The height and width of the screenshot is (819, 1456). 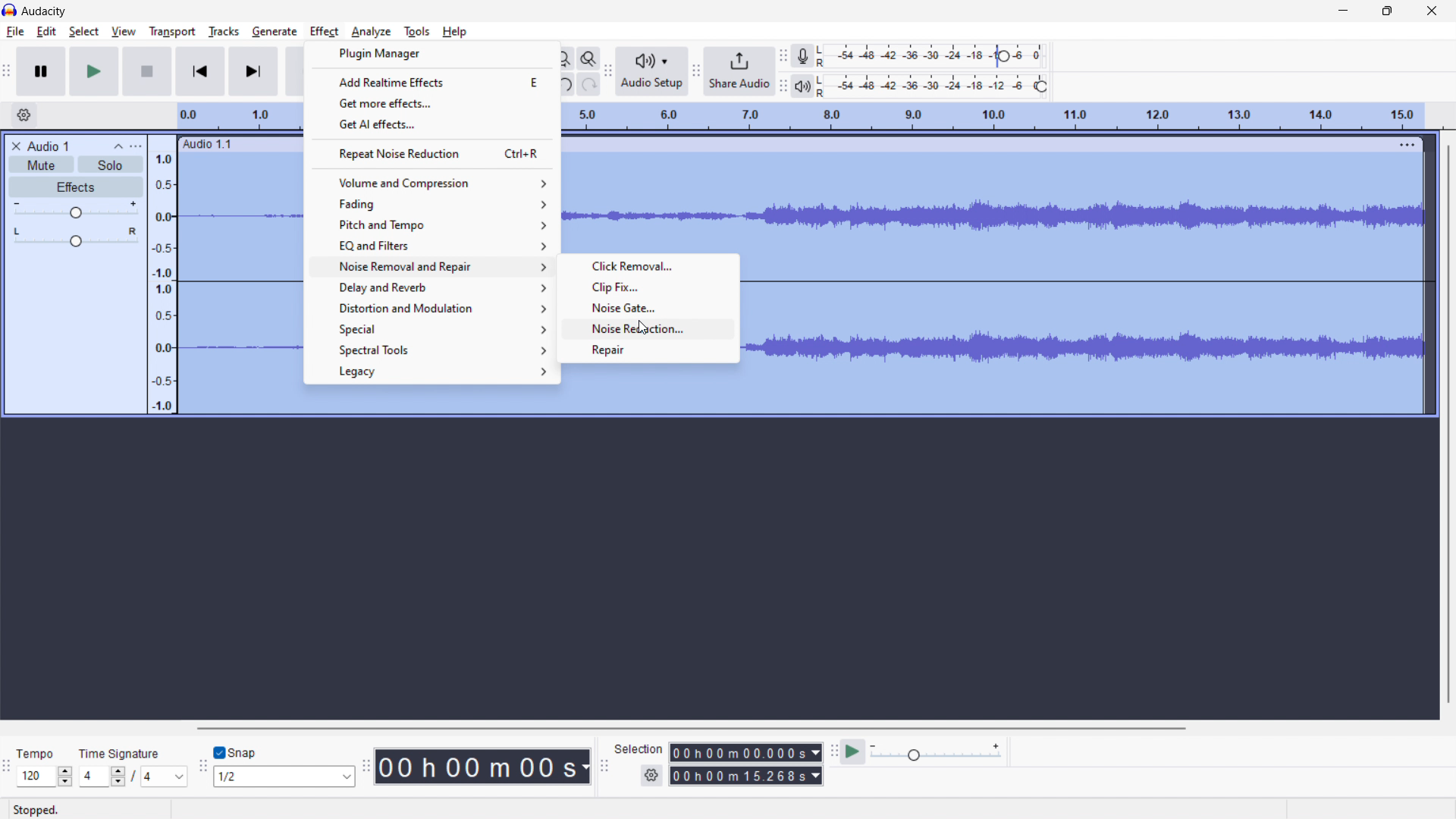 What do you see at coordinates (604, 763) in the screenshot?
I see `selection toolbar` at bounding box center [604, 763].